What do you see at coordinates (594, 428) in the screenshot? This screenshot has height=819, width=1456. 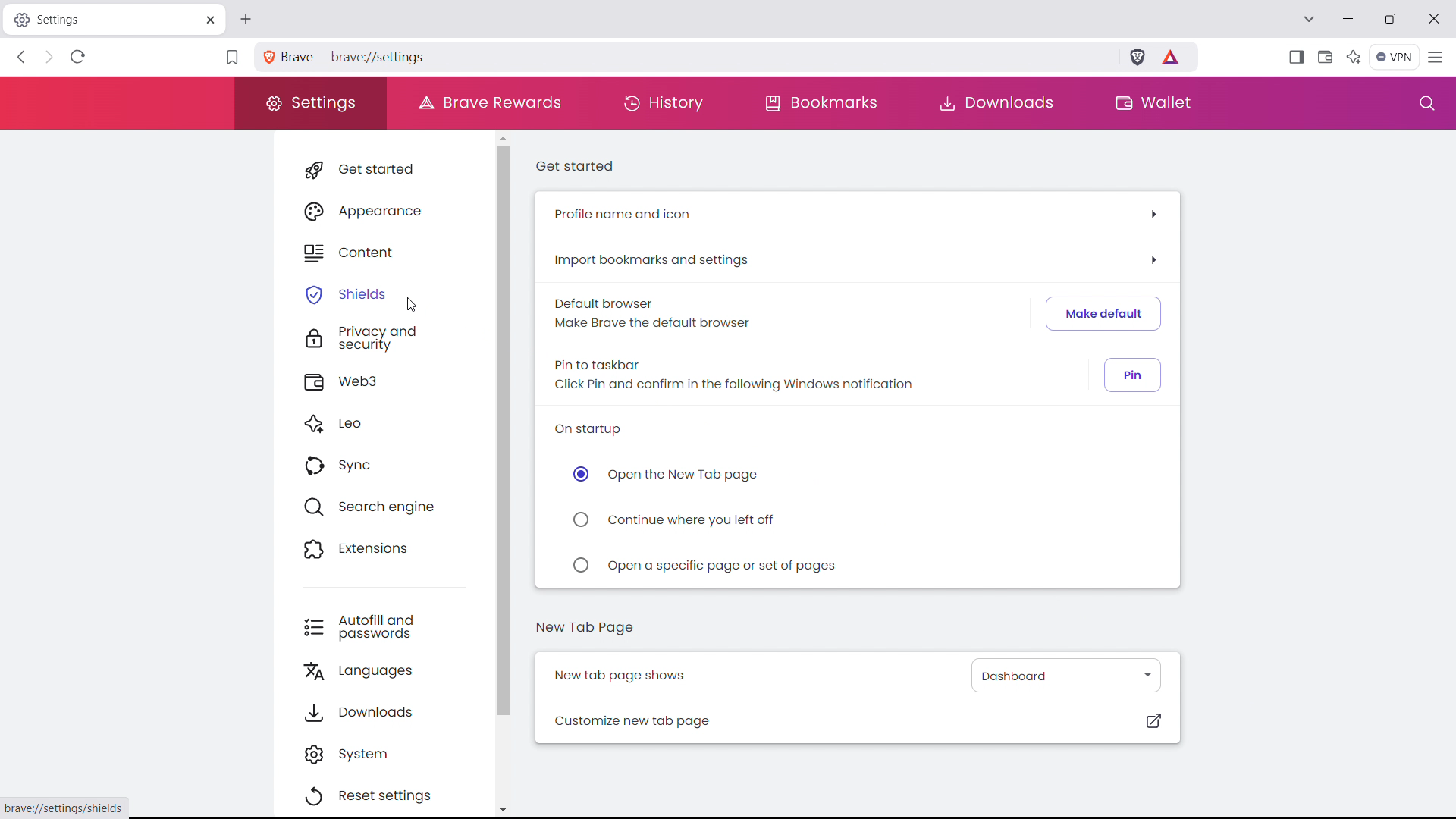 I see `on startup` at bounding box center [594, 428].